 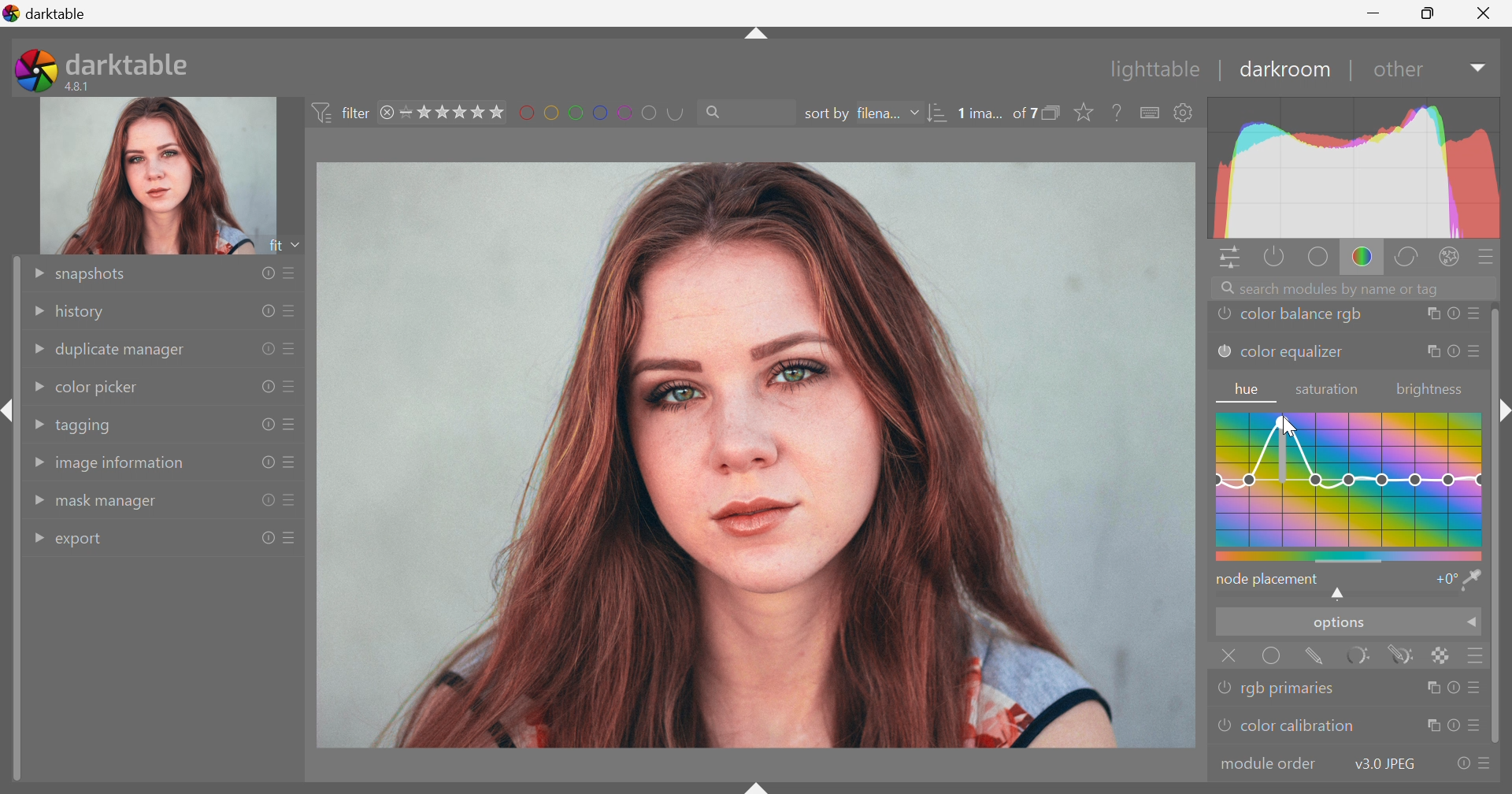 What do you see at coordinates (1429, 390) in the screenshot?
I see `brightness` at bounding box center [1429, 390].